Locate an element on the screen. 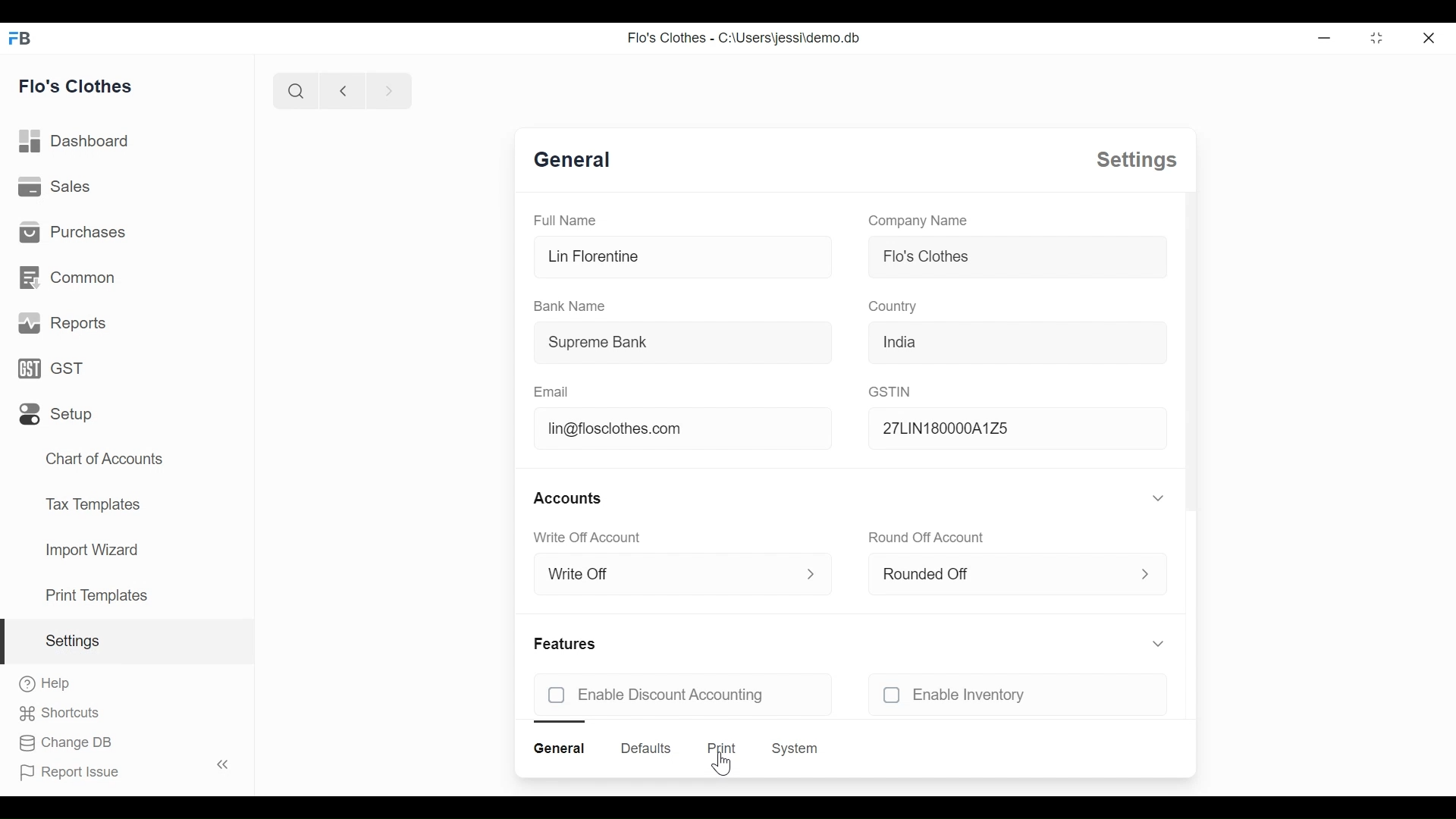 The image size is (1456, 819). sales is located at coordinates (55, 185).